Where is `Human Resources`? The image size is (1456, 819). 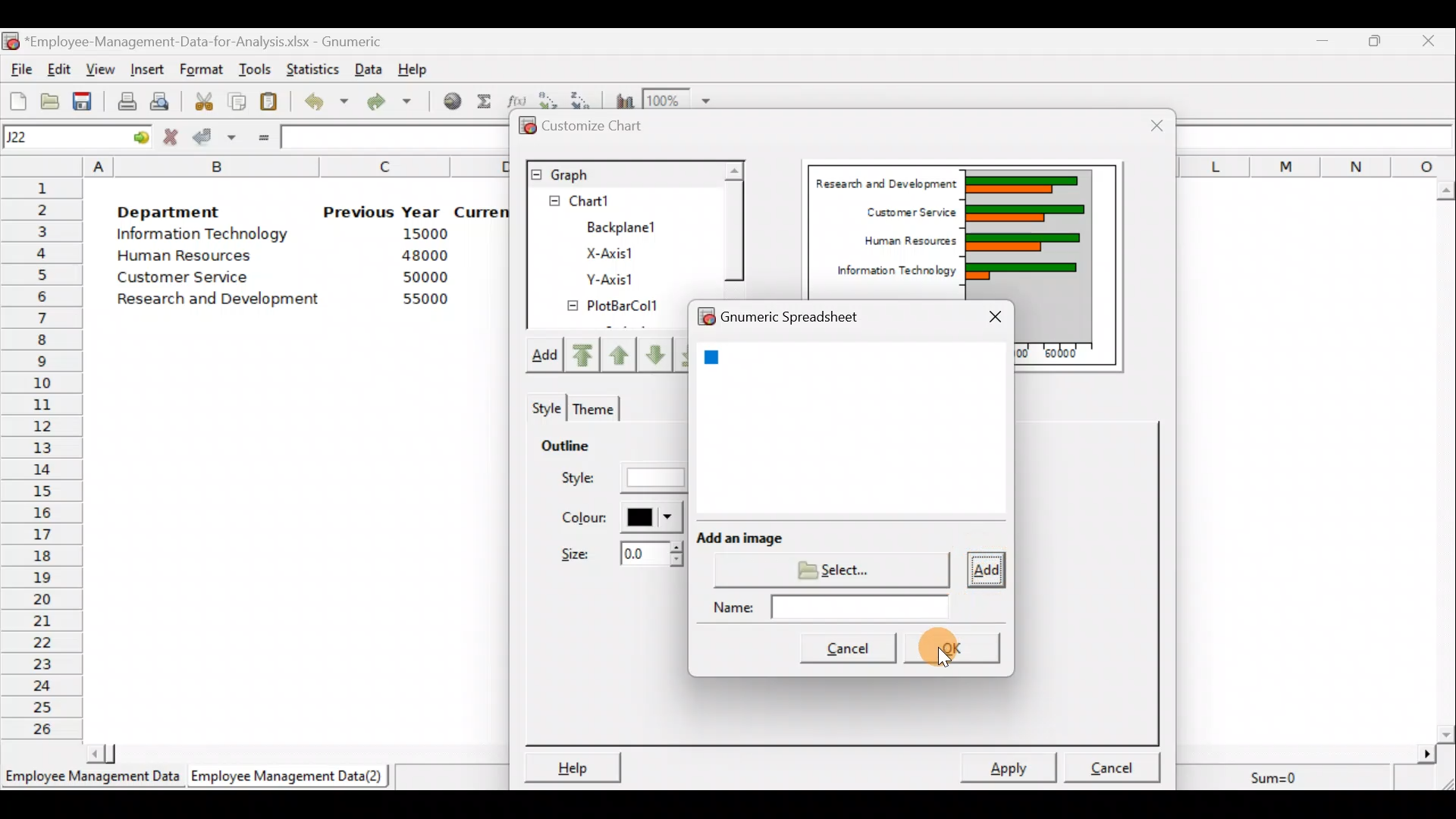 Human Resources is located at coordinates (899, 242).